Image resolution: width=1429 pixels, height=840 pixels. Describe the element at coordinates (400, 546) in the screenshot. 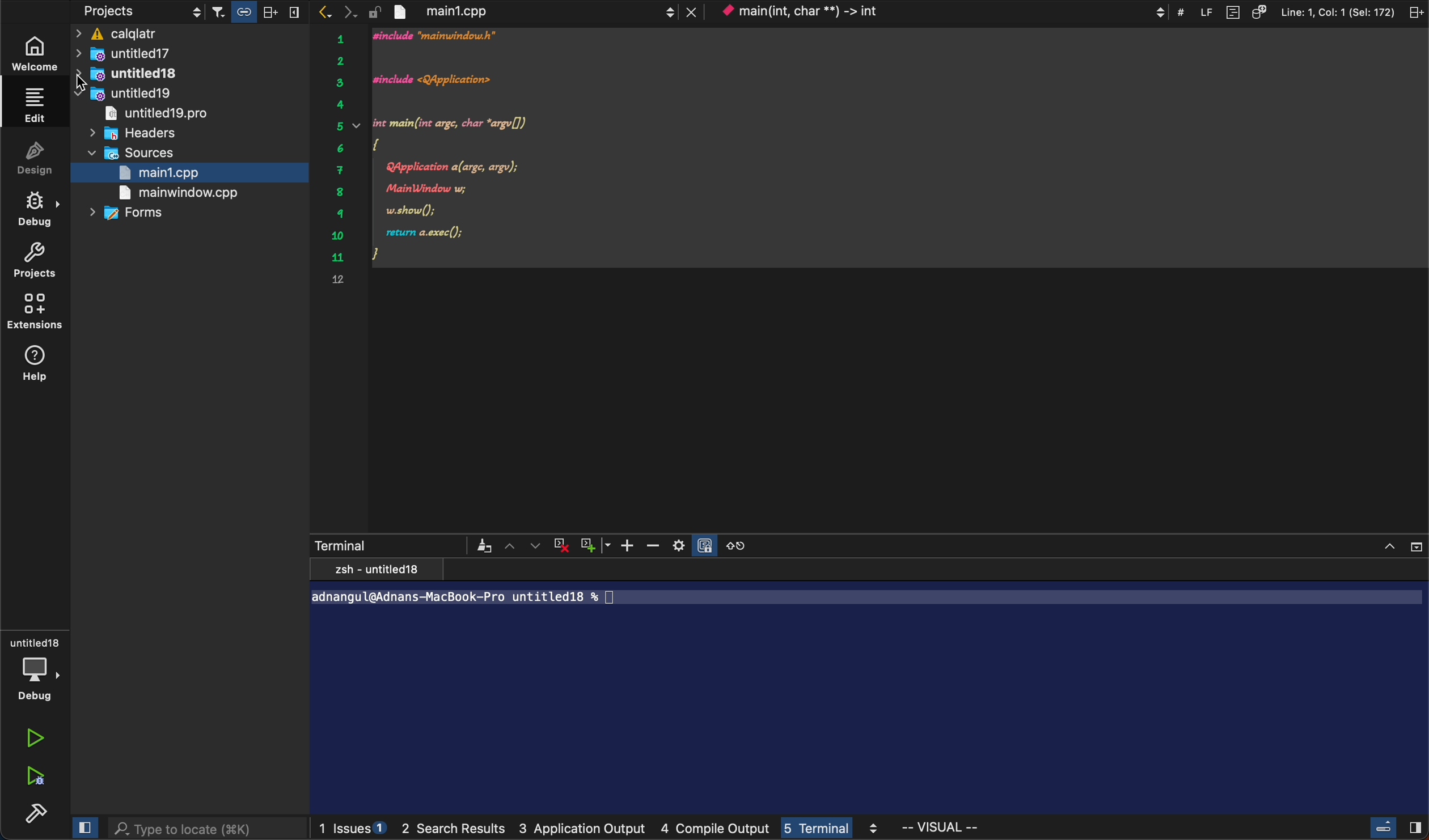

I see `terminals` at that location.